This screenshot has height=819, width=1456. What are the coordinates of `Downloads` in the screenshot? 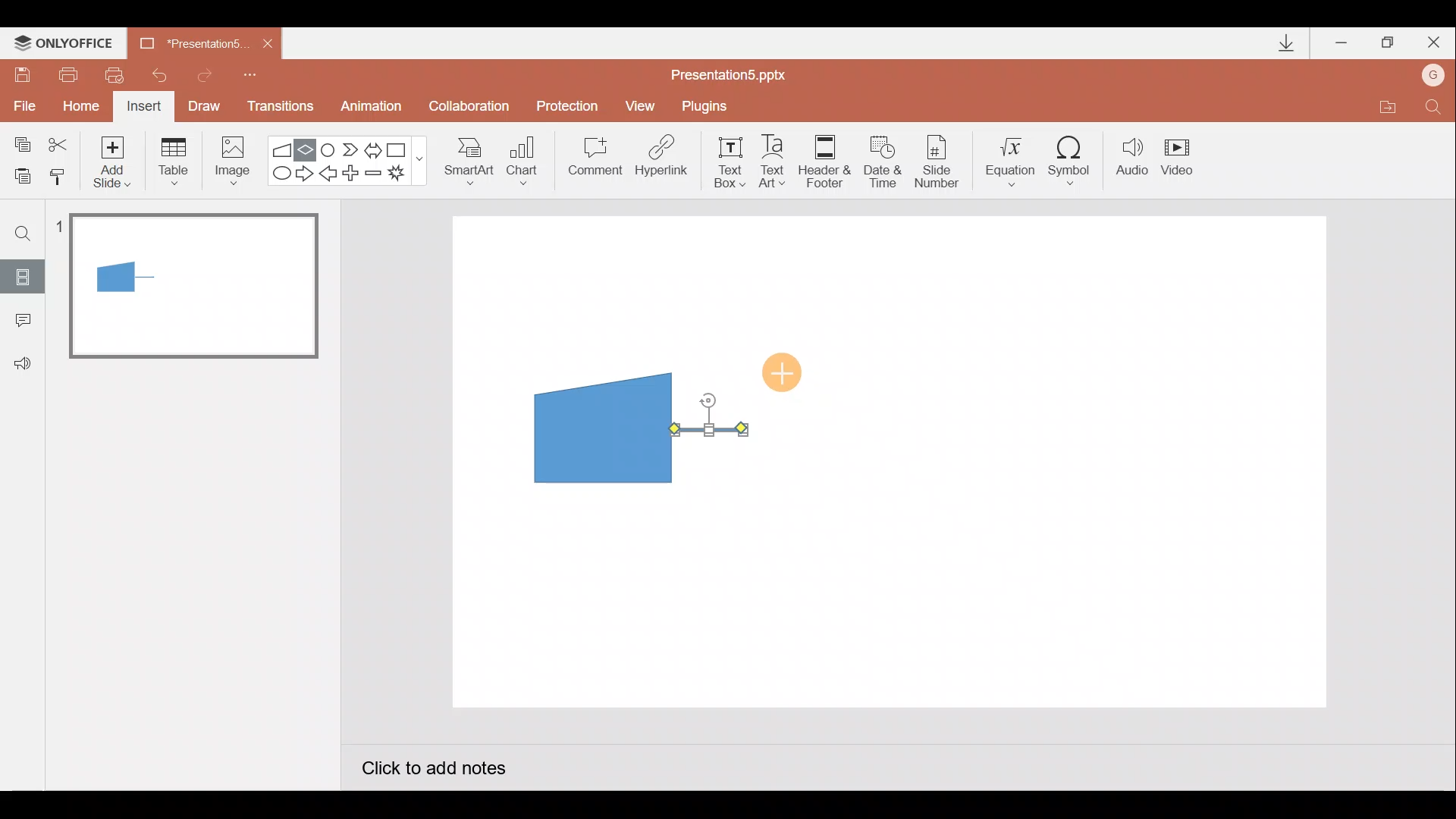 It's located at (1284, 44).